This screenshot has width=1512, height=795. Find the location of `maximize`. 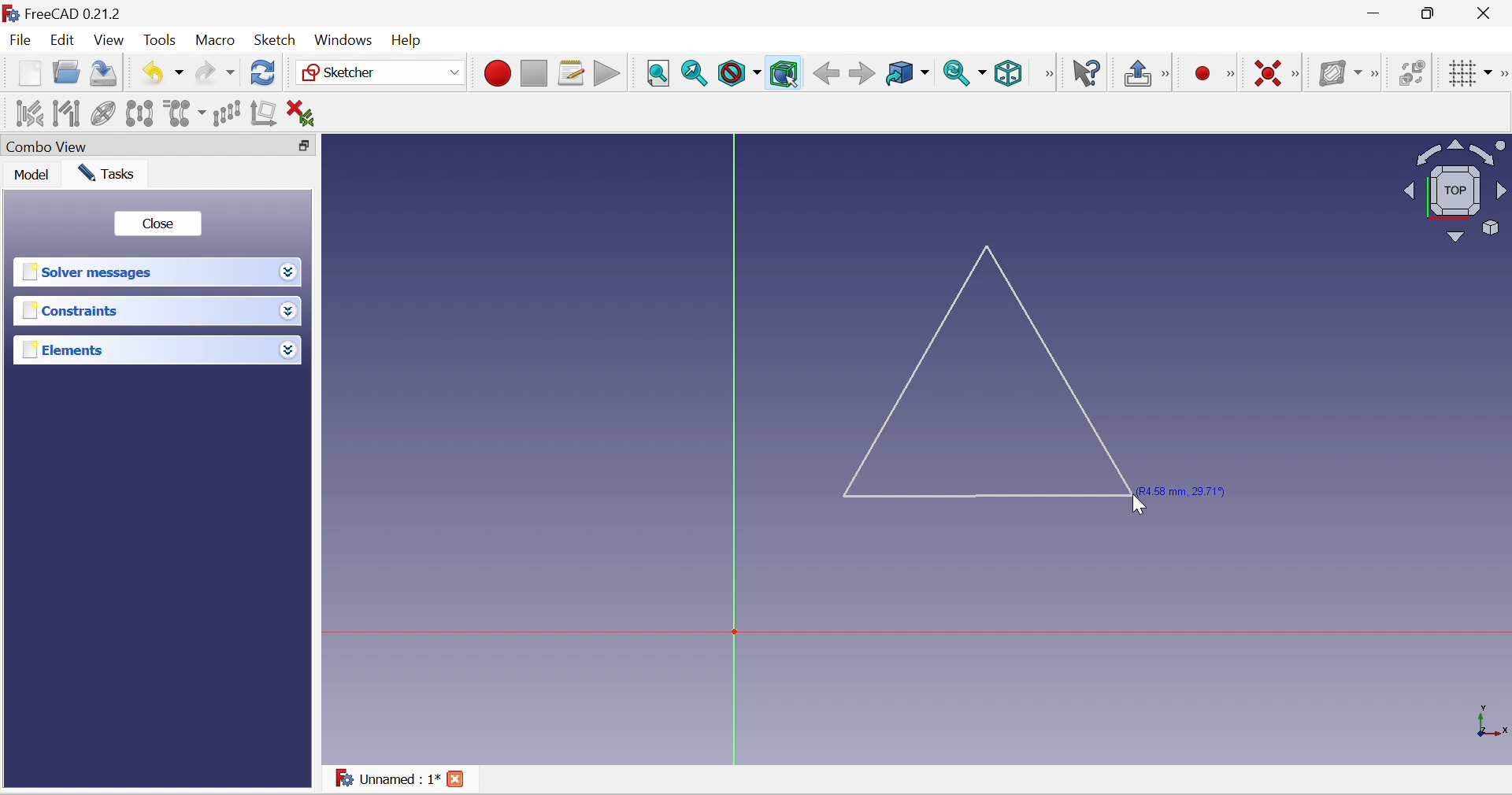

maximize is located at coordinates (1430, 13).